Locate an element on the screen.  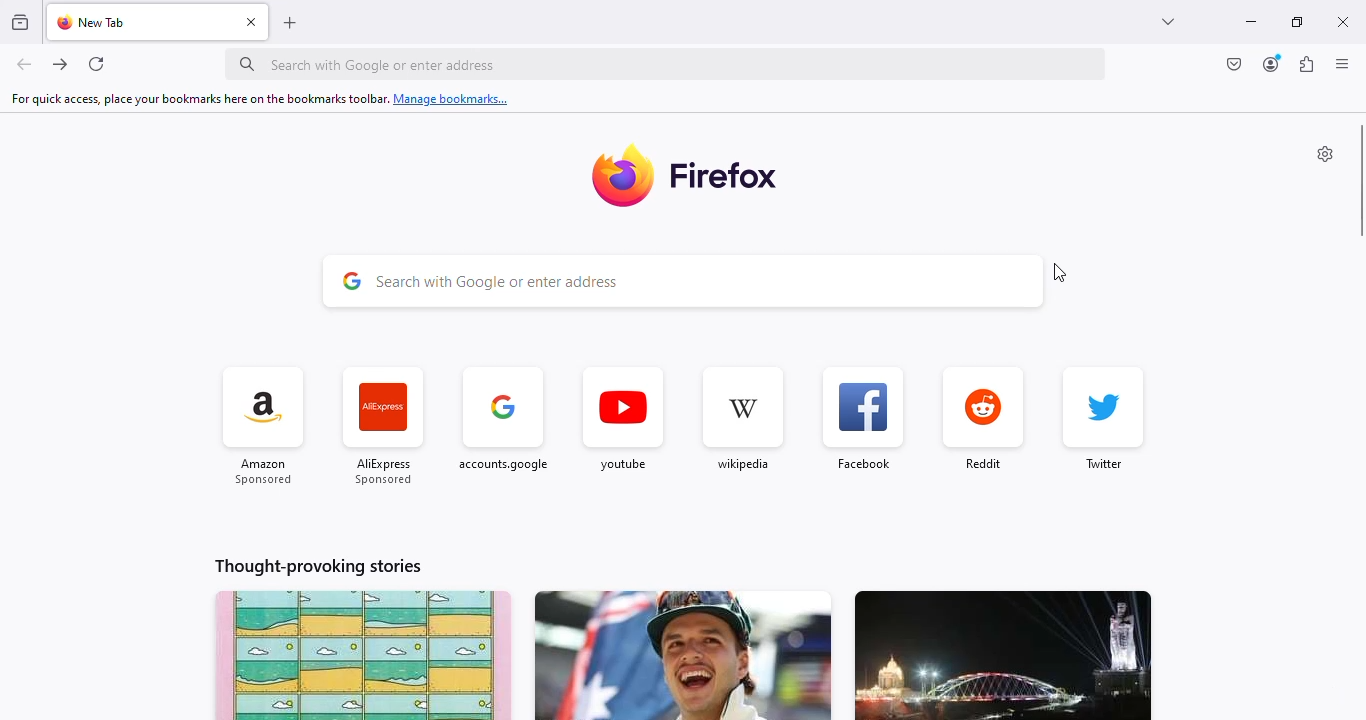
open application menu is located at coordinates (1342, 63).